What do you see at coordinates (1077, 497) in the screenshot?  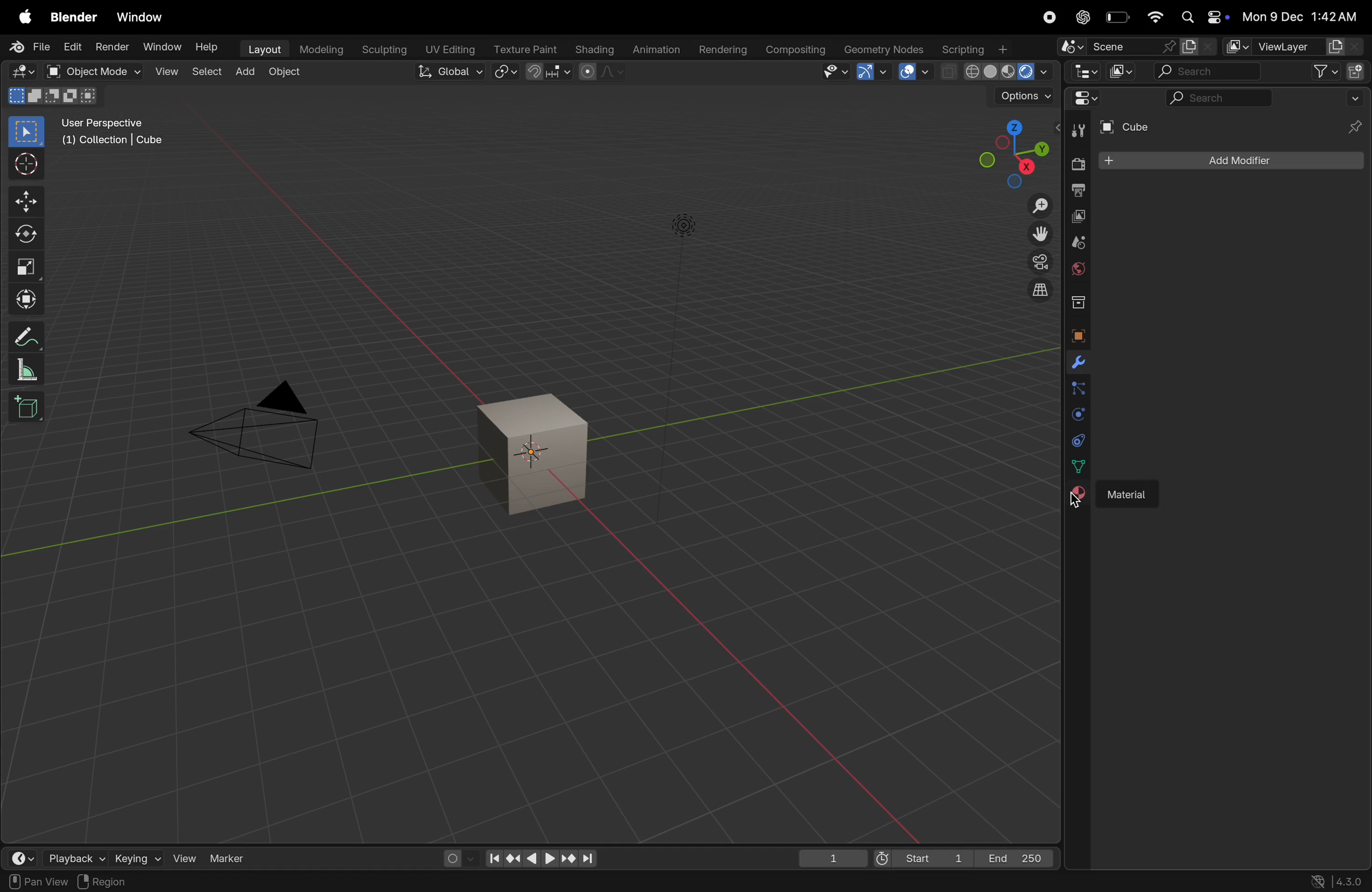 I see `material` at bounding box center [1077, 497].